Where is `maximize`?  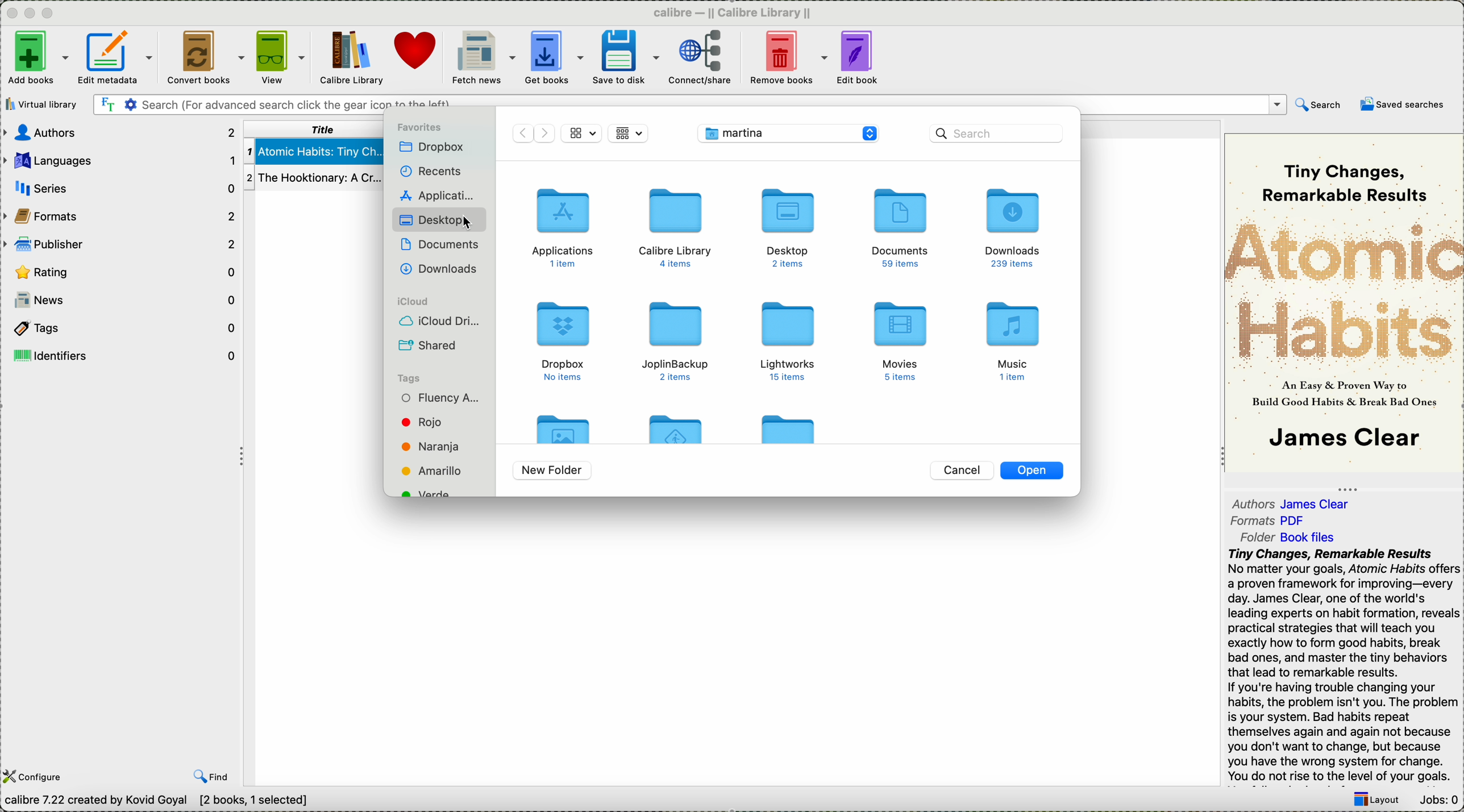 maximize is located at coordinates (50, 13).